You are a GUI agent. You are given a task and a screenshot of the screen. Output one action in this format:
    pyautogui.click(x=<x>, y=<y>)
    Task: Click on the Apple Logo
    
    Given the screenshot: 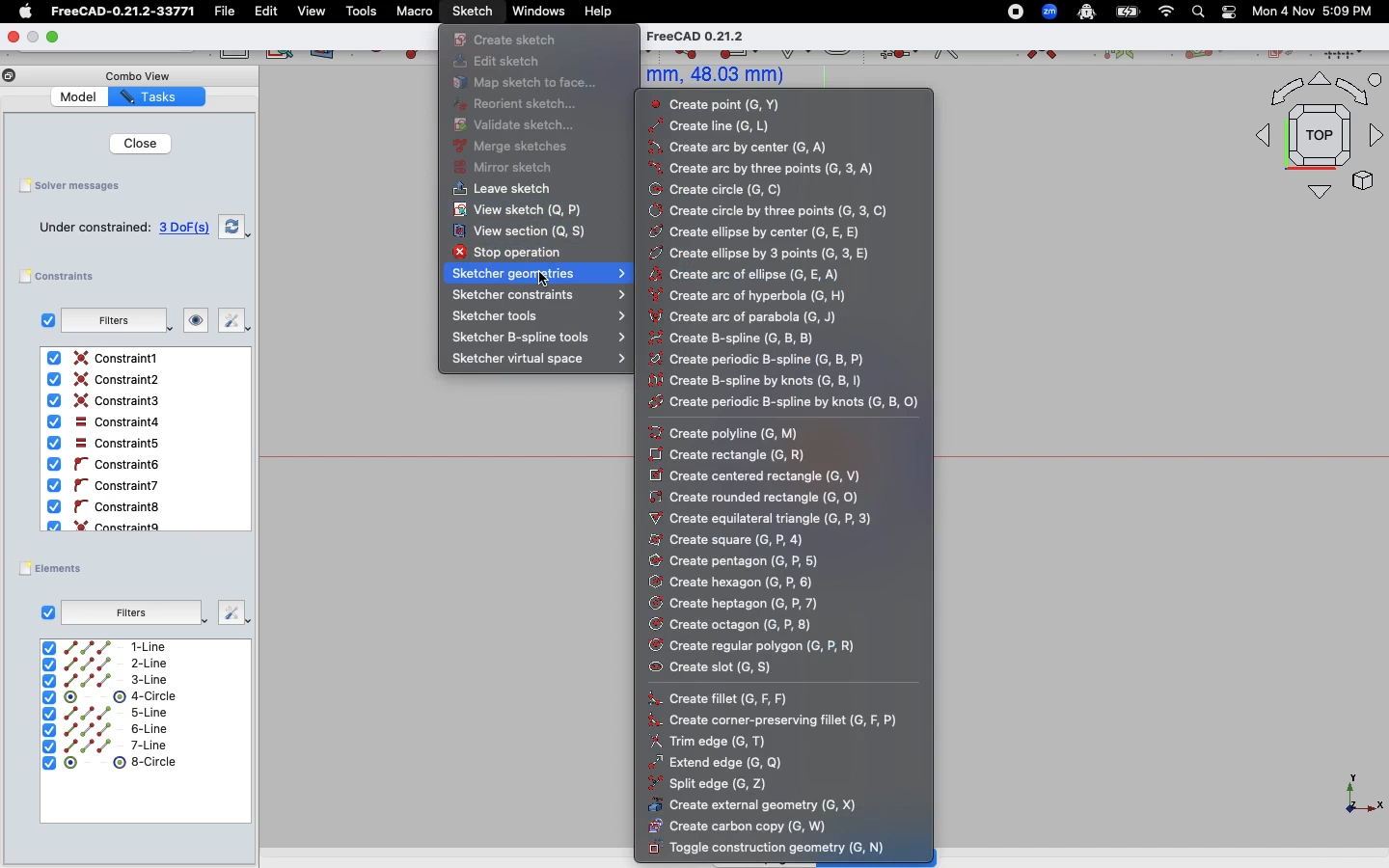 What is the action you would take?
    pyautogui.click(x=23, y=12)
    